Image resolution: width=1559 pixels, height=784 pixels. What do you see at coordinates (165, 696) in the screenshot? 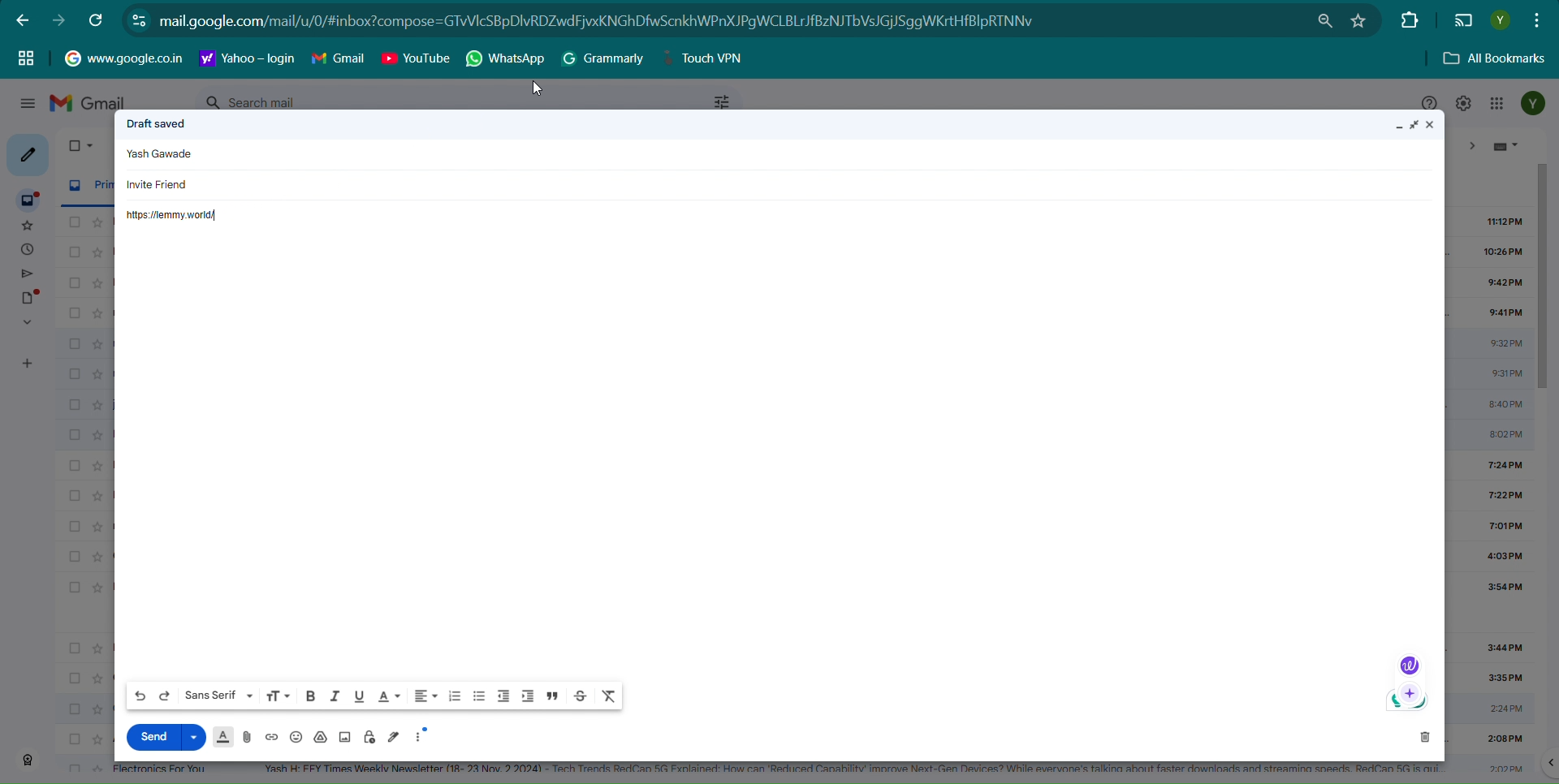
I see `Redo` at bounding box center [165, 696].